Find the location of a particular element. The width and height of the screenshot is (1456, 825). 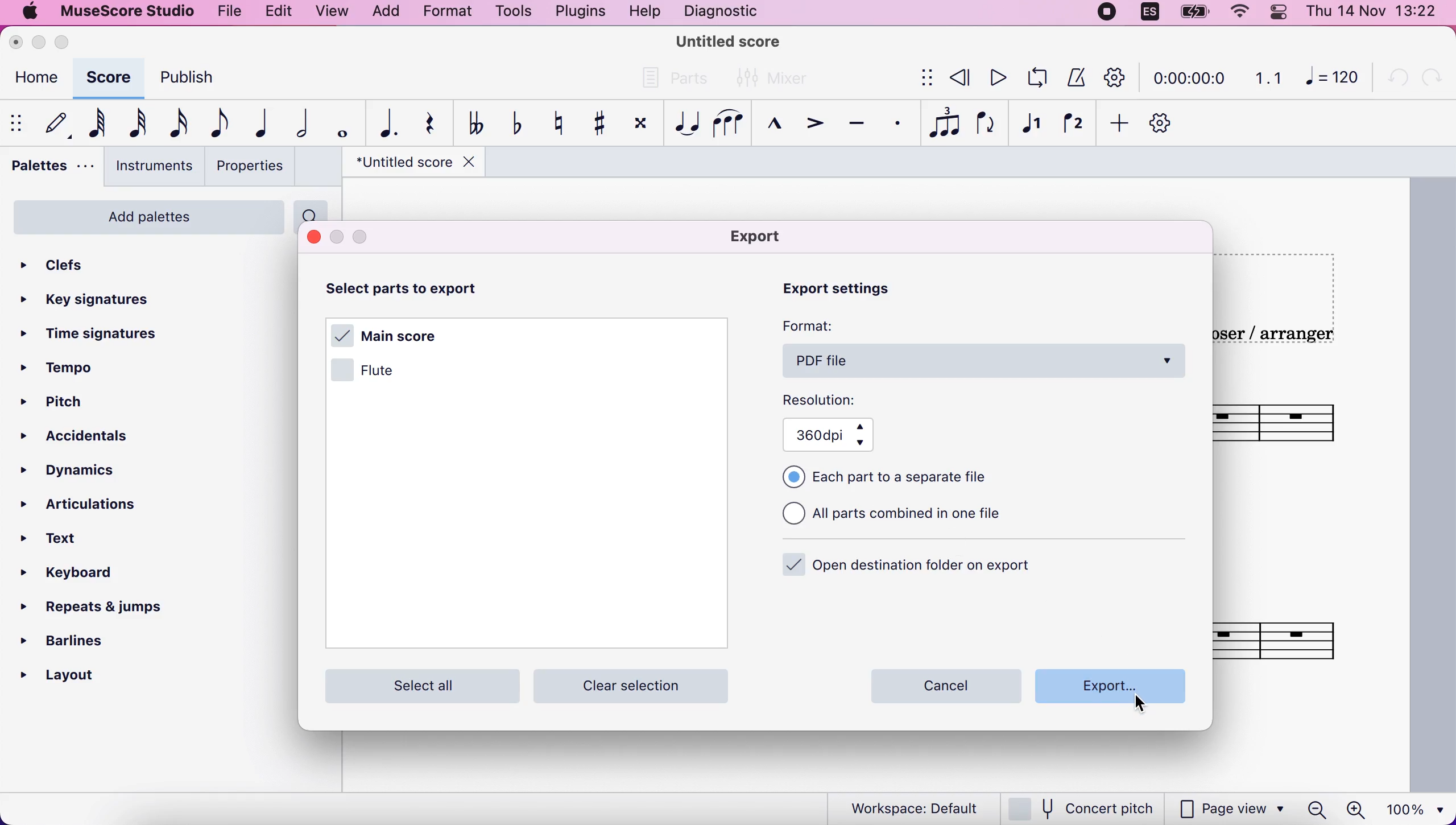

score is located at coordinates (108, 79).